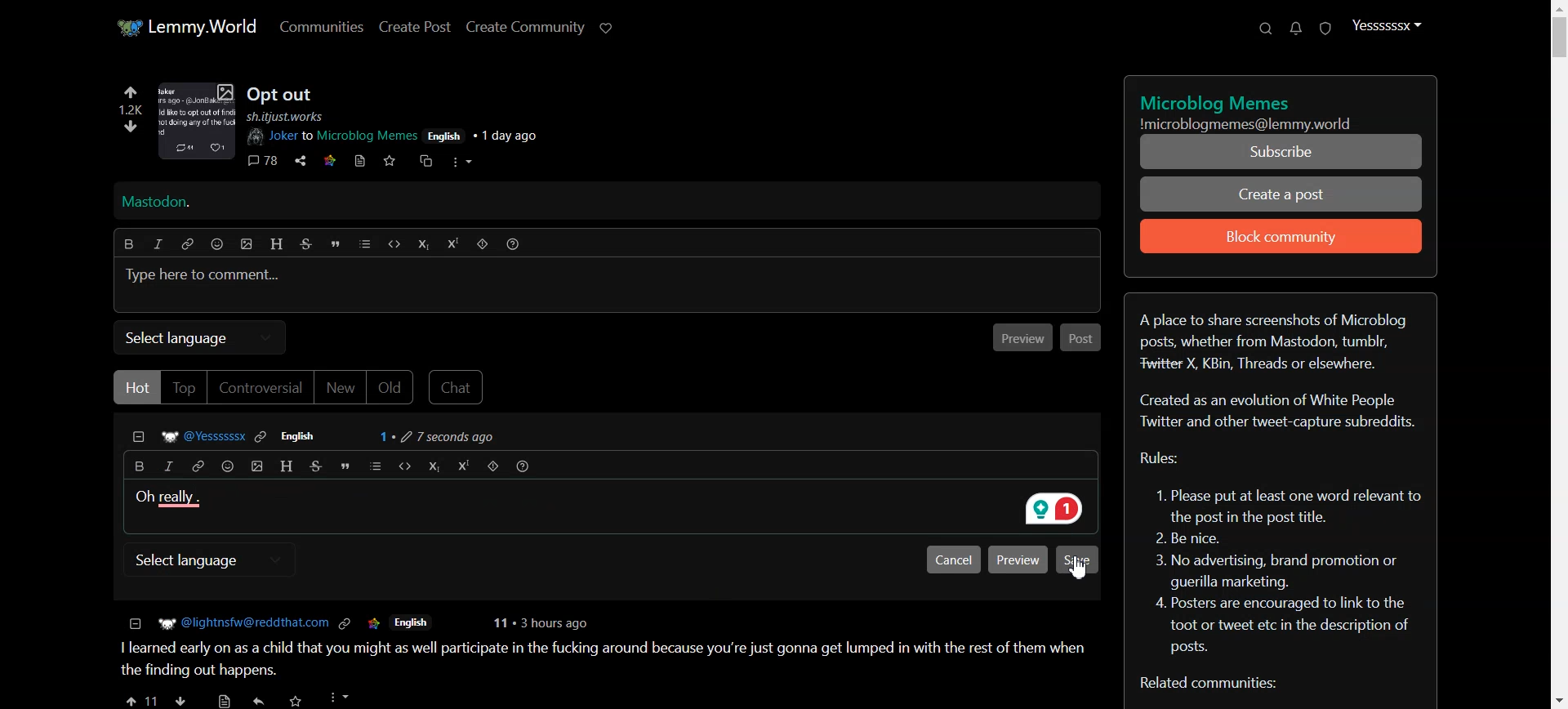 Image resolution: width=1568 pixels, height=709 pixels. Describe the element at coordinates (260, 698) in the screenshot. I see `share` at that location.